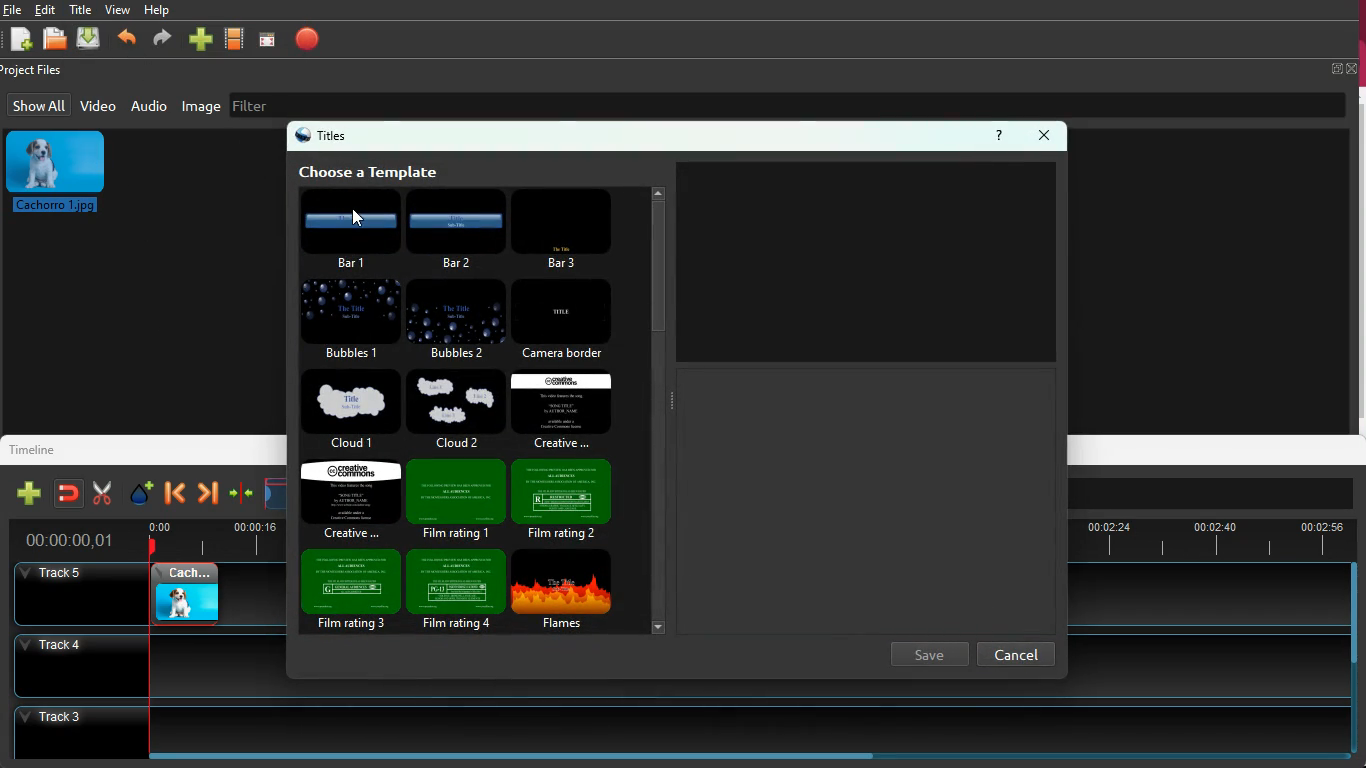 This screenshot has height=768, width=1366. Describe the element at coordinates (118, 9) in the screenshot. I see `view` at that location.